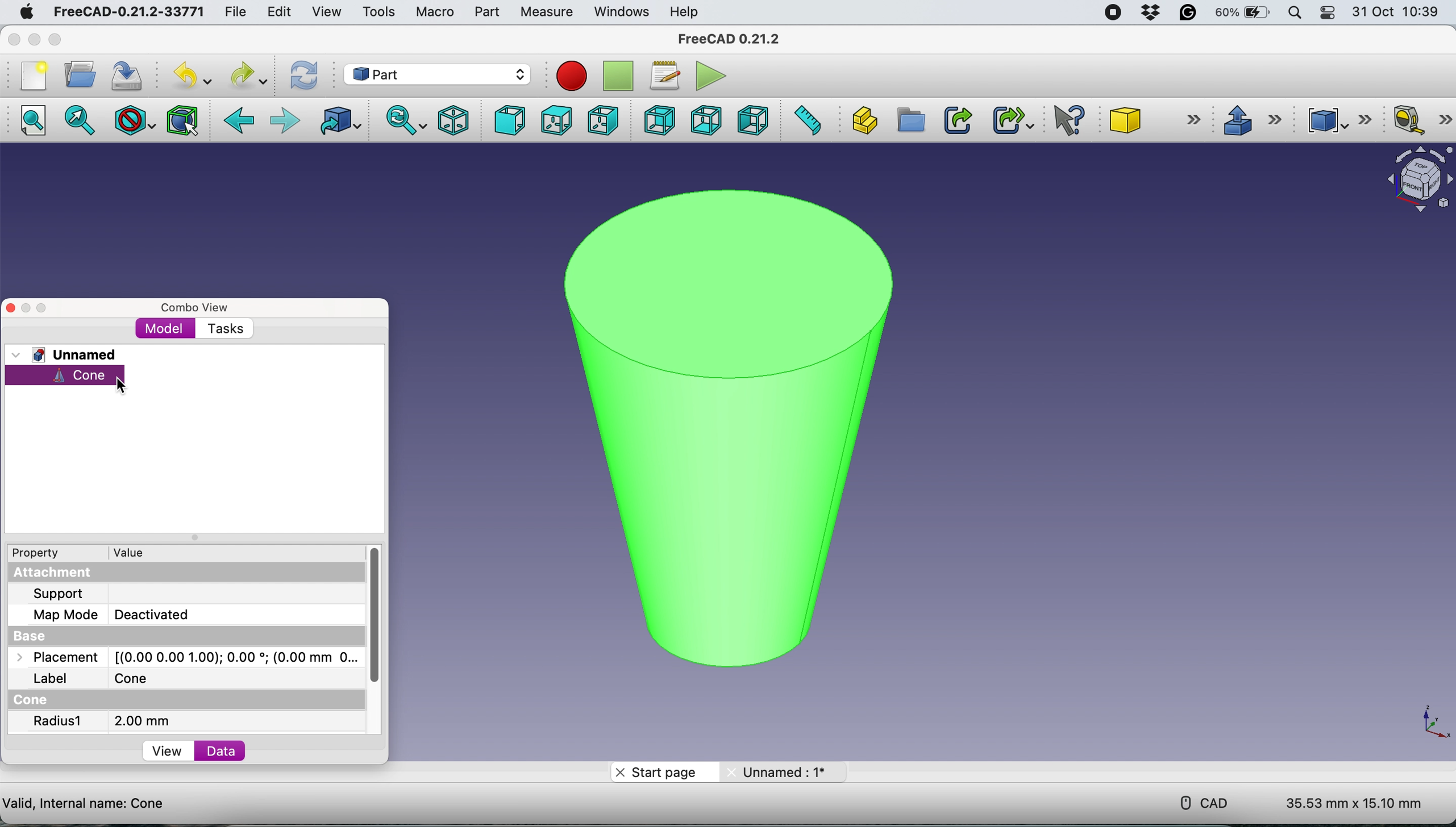  What do you see at coordinates (808, 121) in the screenshot?
I see `measure distance` at bounding box center [808, 121].